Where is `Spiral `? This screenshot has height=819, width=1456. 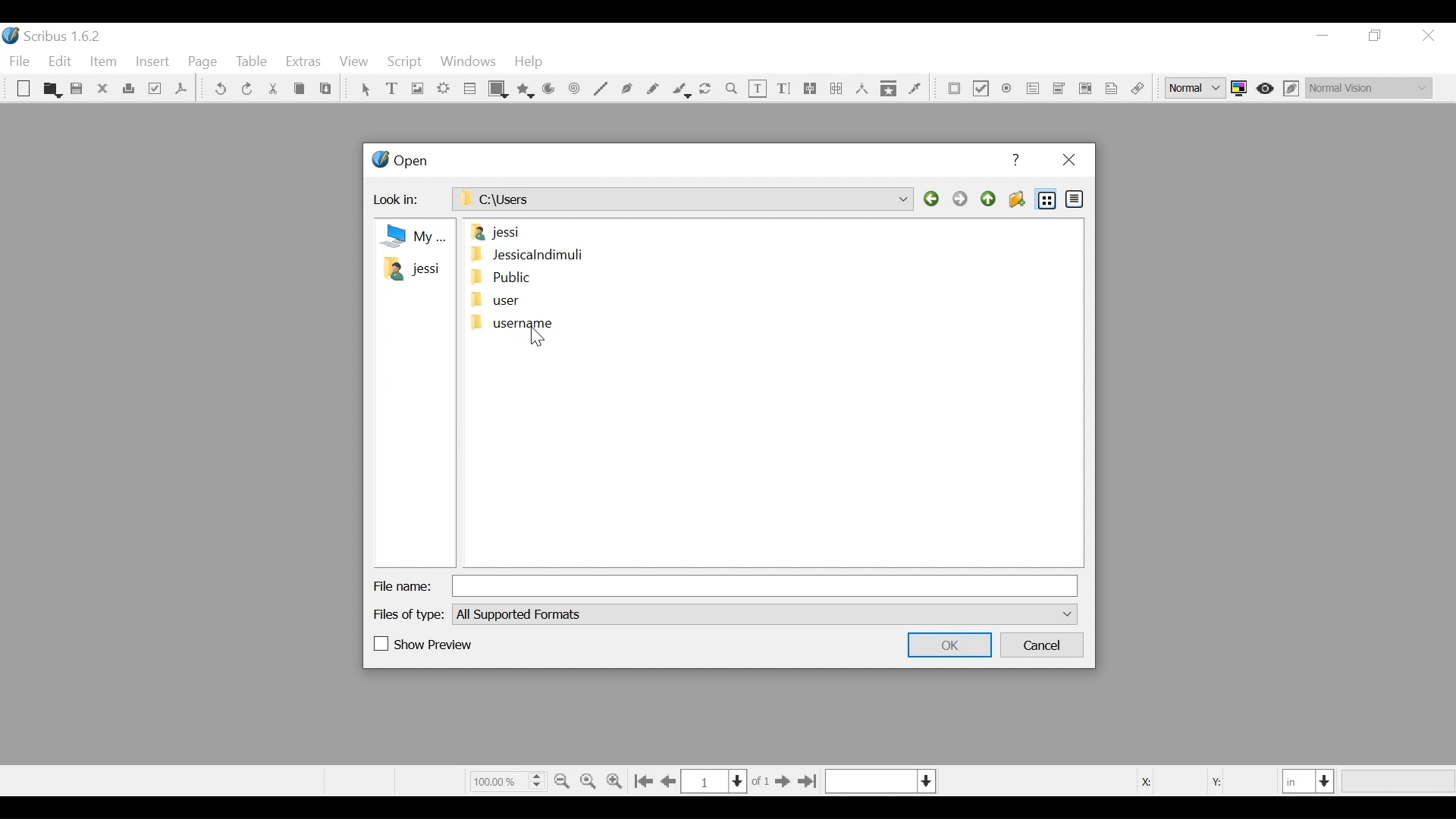 Spiral  is located at coordinates (573, 90).